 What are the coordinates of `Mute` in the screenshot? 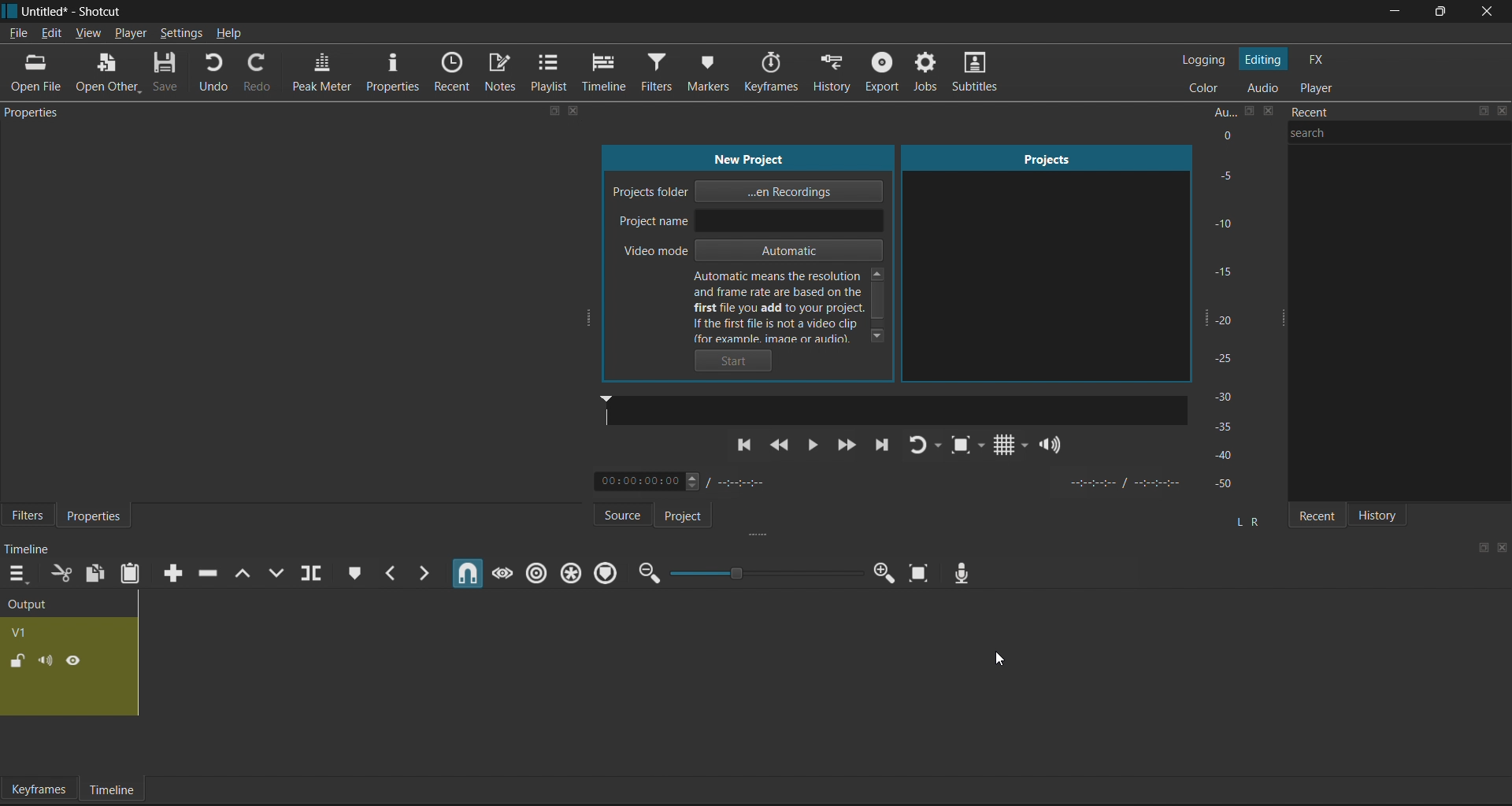 It's located at (49, 661).